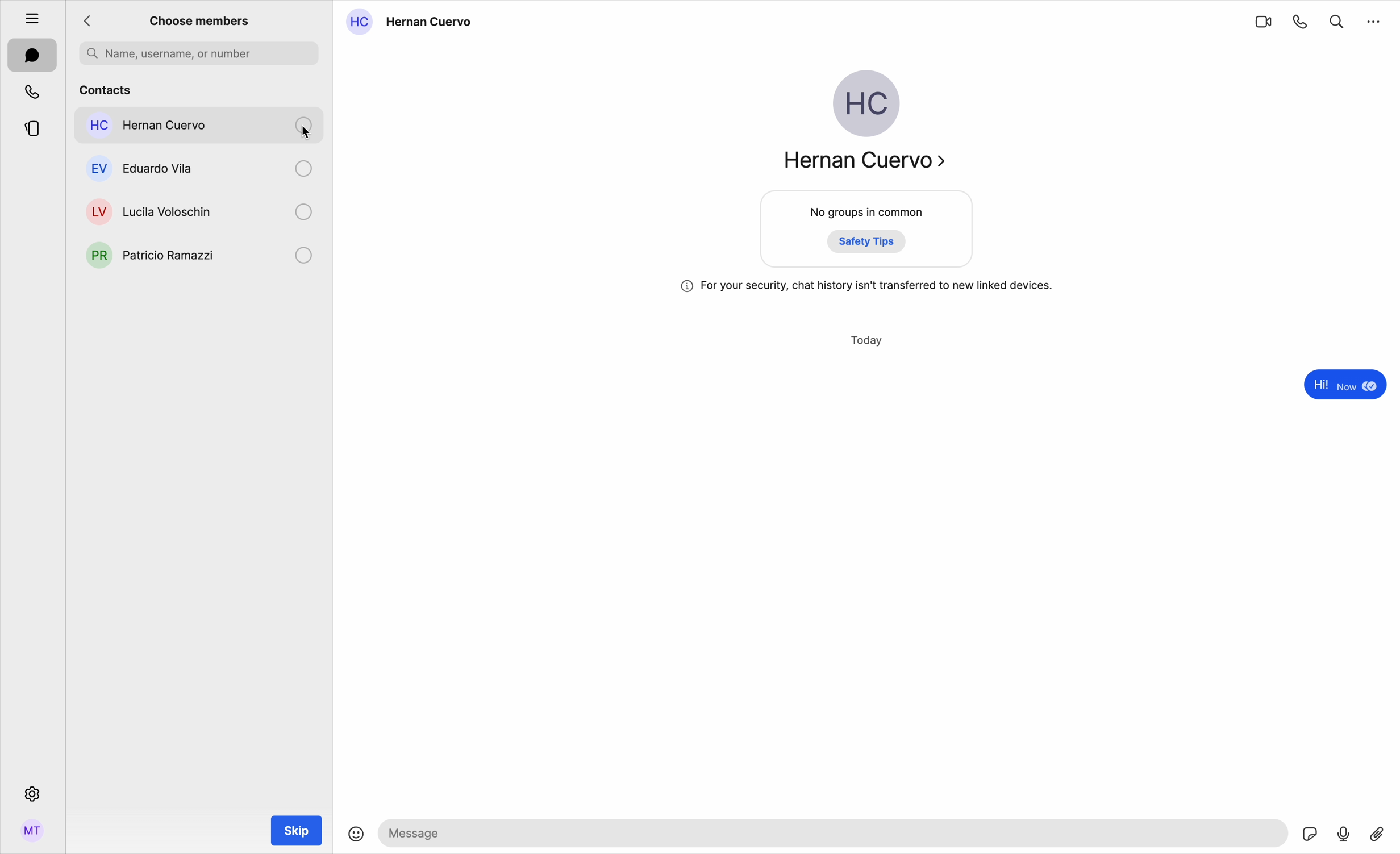 The width and height of the screenshot is (1400, 854). I want to click on today, so click(868, 341).